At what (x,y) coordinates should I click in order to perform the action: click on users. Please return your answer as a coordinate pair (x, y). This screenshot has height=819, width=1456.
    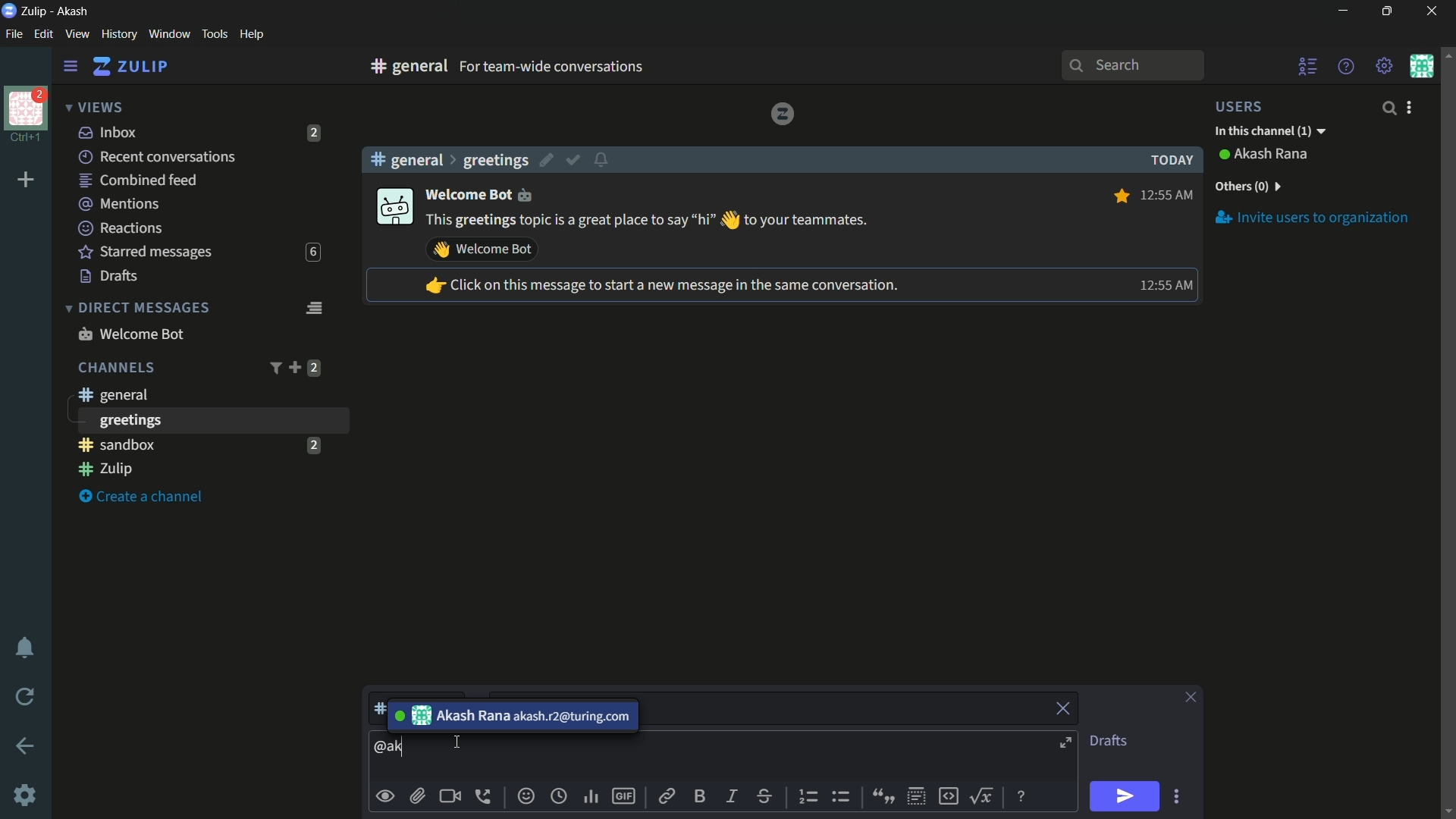
    Looking at the image, I should click on (1248, 106).